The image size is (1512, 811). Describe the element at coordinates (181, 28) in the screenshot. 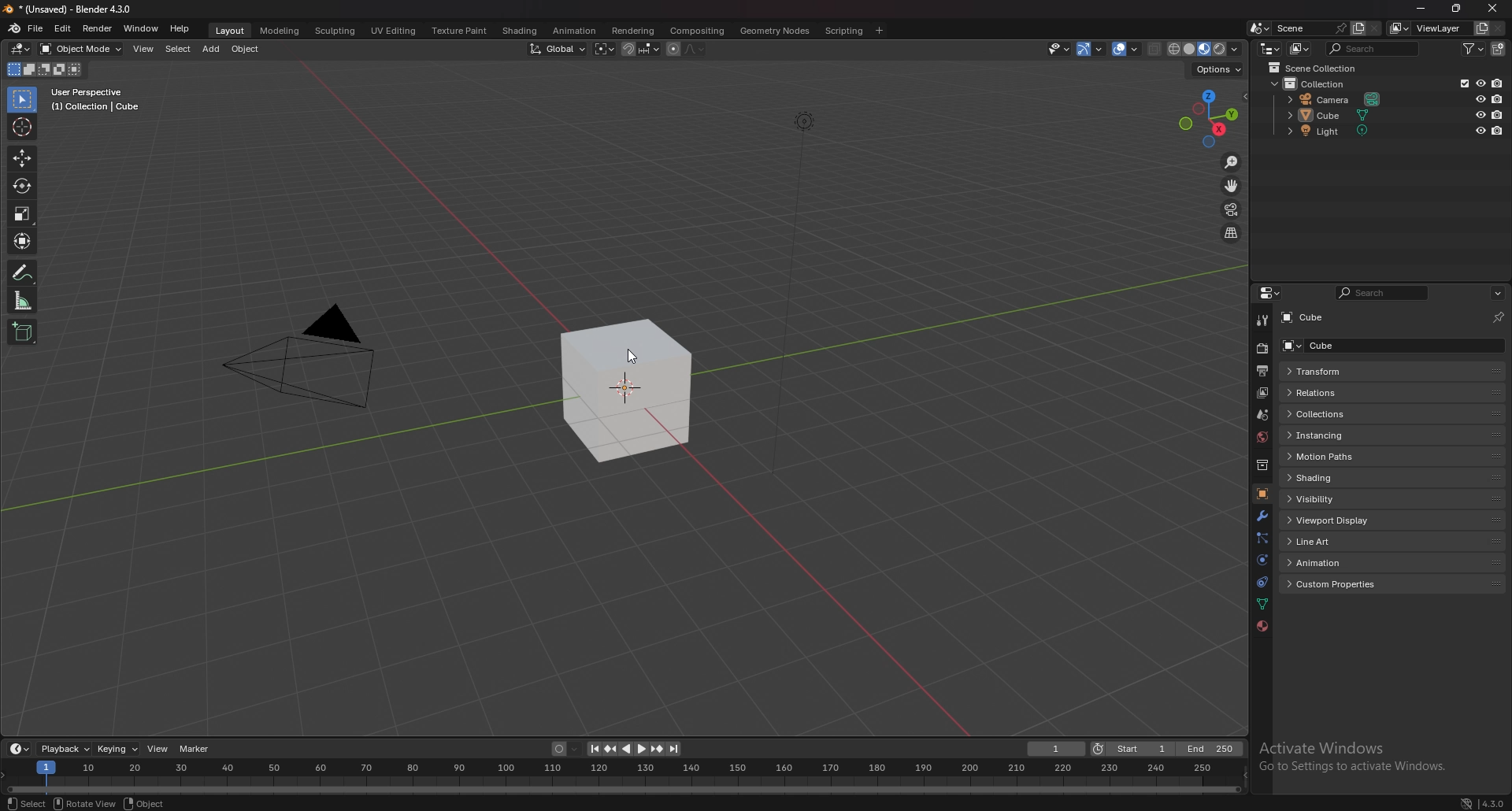

I see `help` at that location.